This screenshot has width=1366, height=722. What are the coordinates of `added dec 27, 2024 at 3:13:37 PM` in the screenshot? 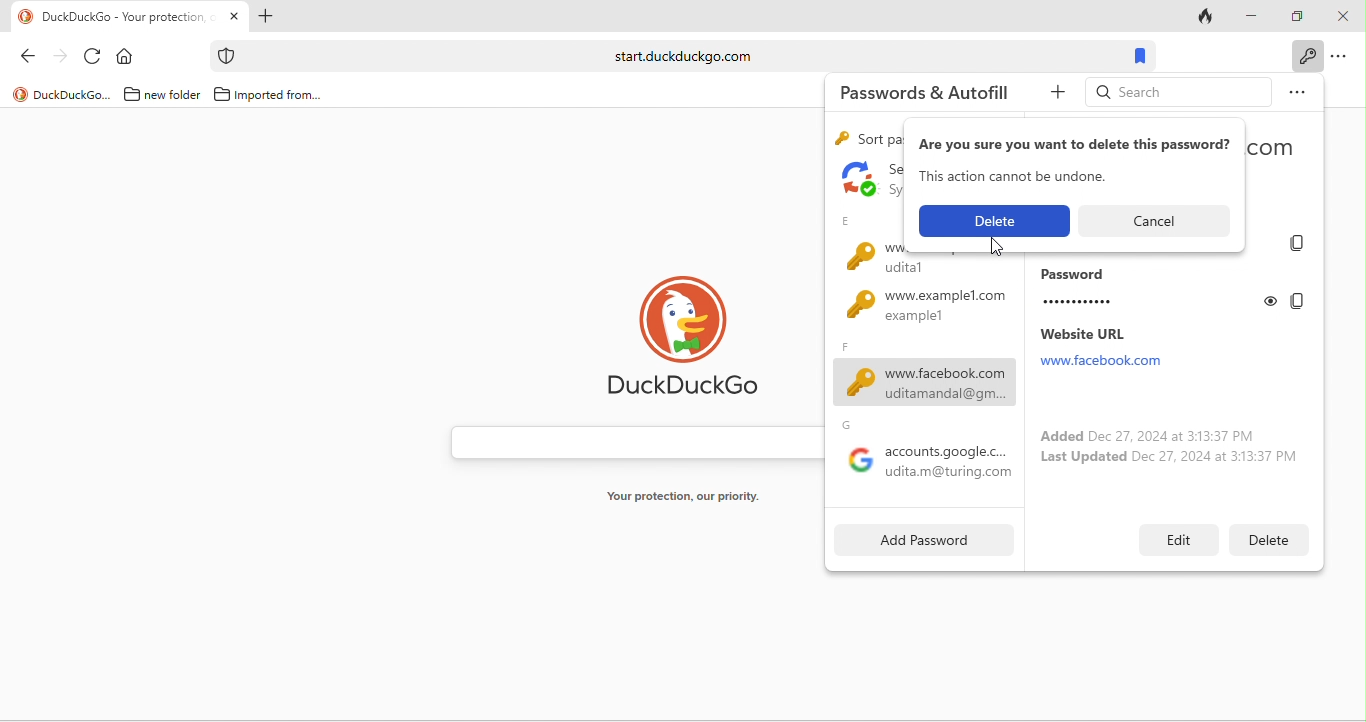 It's located at (1142, 434).